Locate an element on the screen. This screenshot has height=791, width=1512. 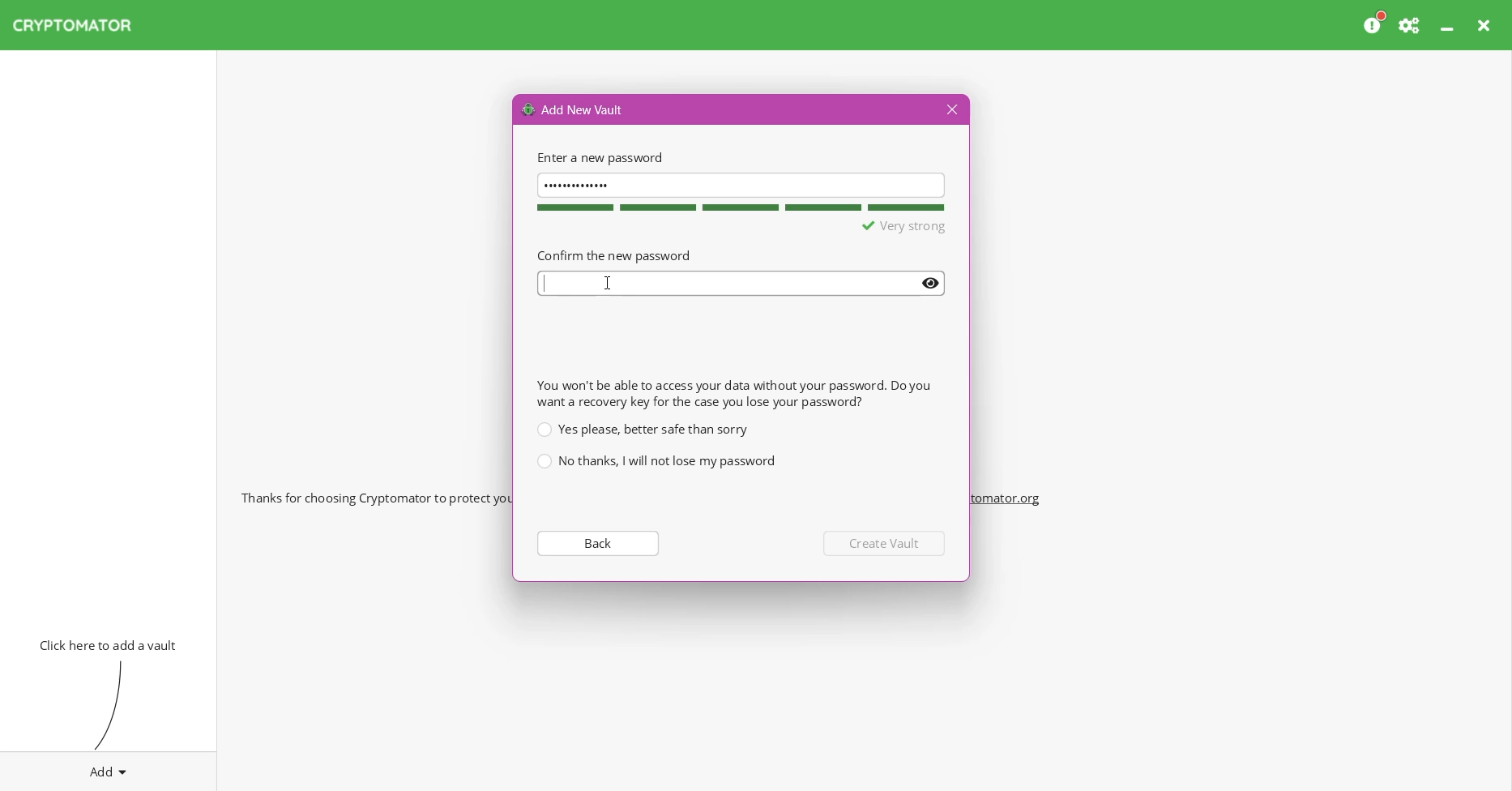
Minimize is located at coordinates (1449, 25).